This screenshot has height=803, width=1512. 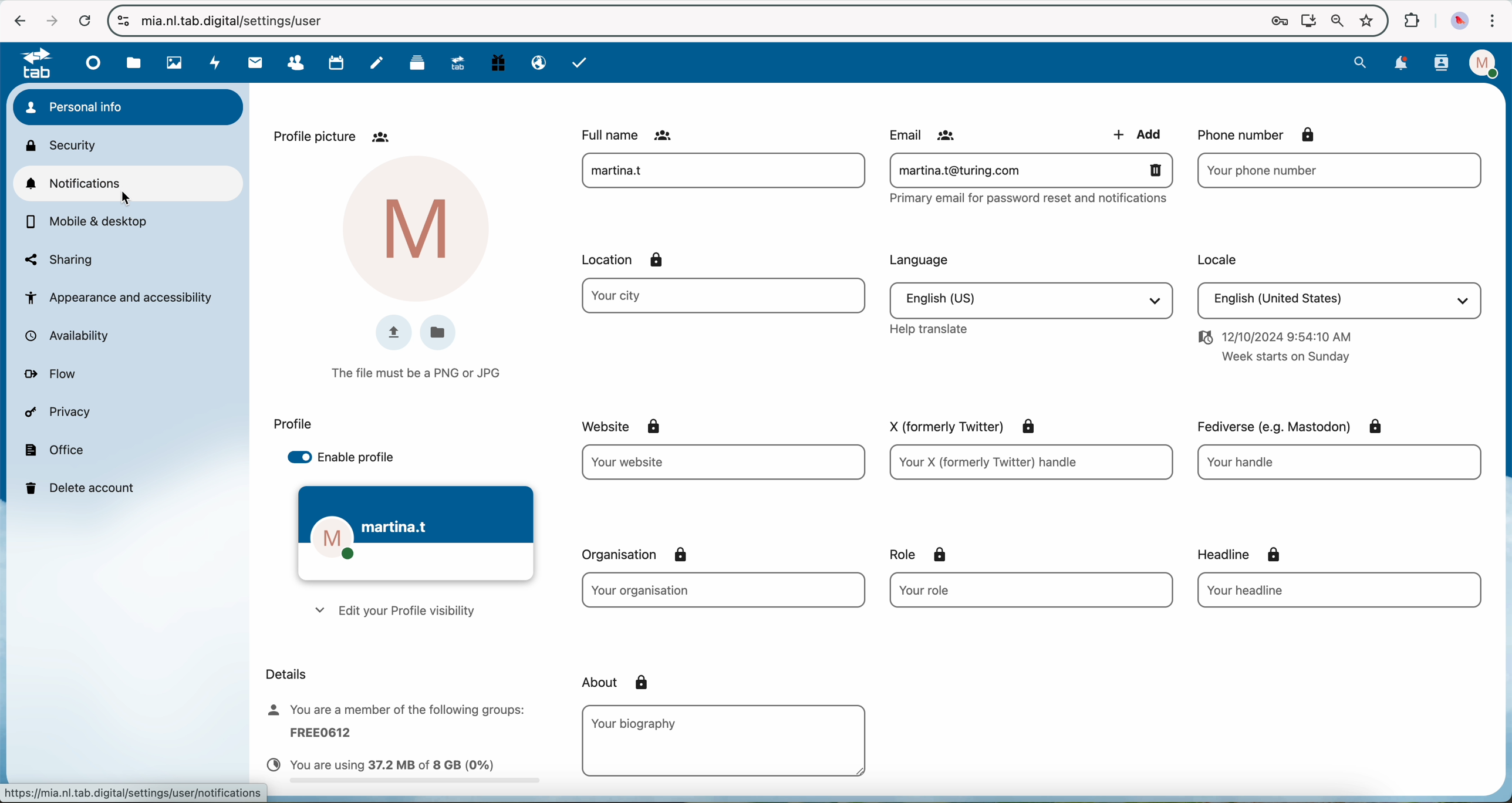 I want to click on delete account, so click(x=83, y=487).